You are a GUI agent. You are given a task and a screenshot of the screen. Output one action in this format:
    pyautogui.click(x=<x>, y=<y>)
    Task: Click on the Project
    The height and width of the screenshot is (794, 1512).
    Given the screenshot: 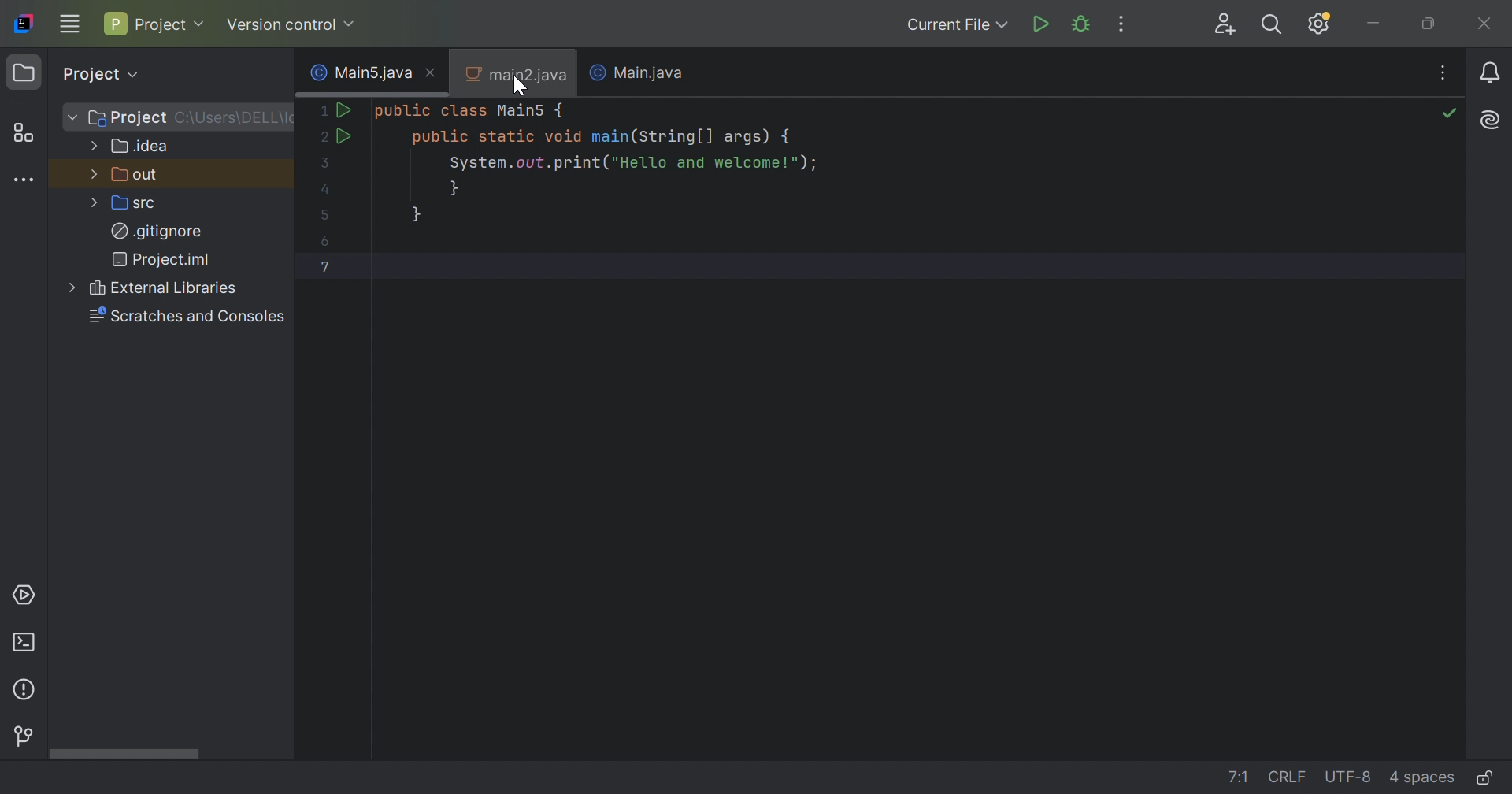 What is the action you would take?
    pyautogui.click(x=156, y=21)
    